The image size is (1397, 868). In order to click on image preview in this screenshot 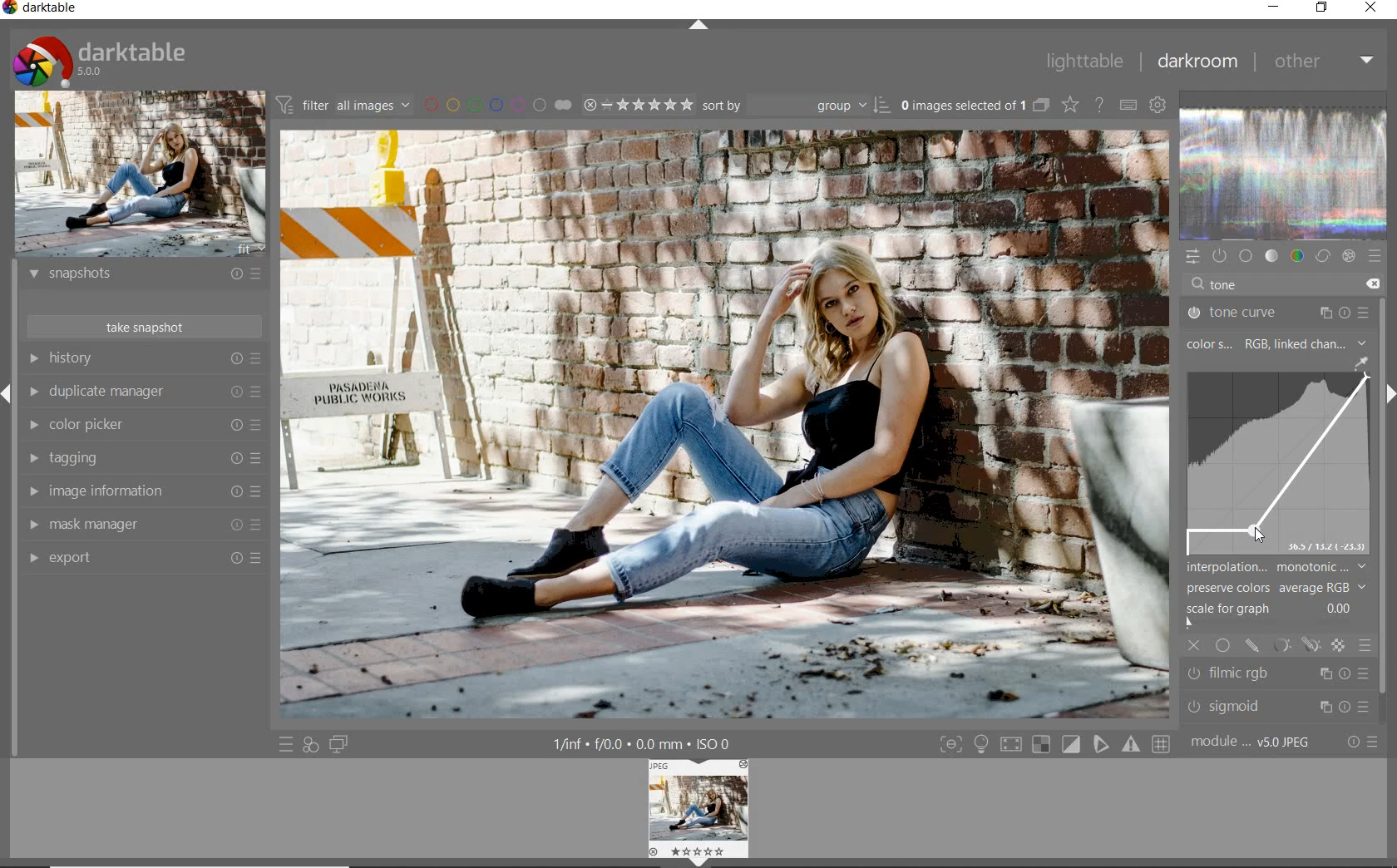, I will do `click(139, 175)`.